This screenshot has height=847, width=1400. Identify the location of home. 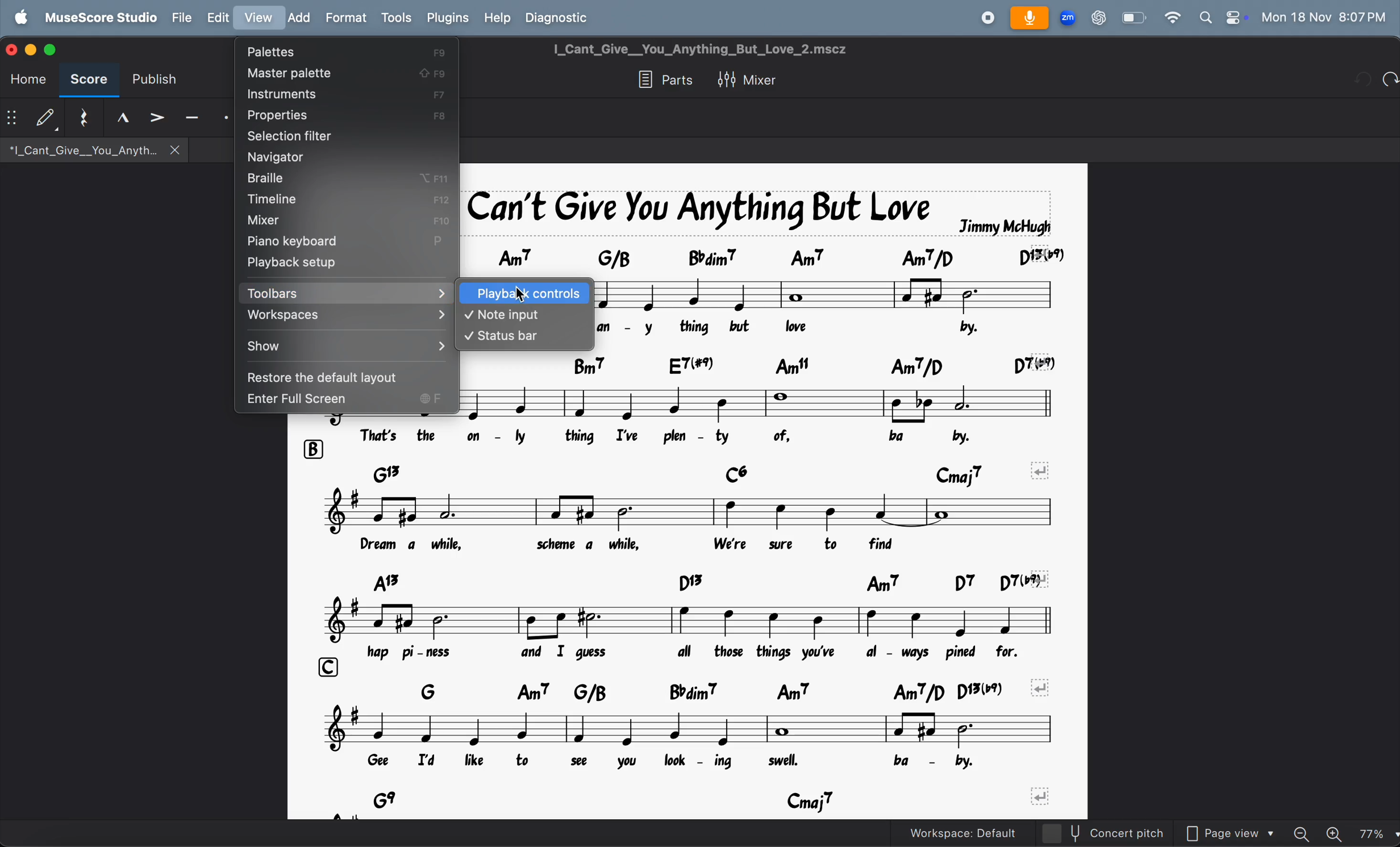
(29, 81).